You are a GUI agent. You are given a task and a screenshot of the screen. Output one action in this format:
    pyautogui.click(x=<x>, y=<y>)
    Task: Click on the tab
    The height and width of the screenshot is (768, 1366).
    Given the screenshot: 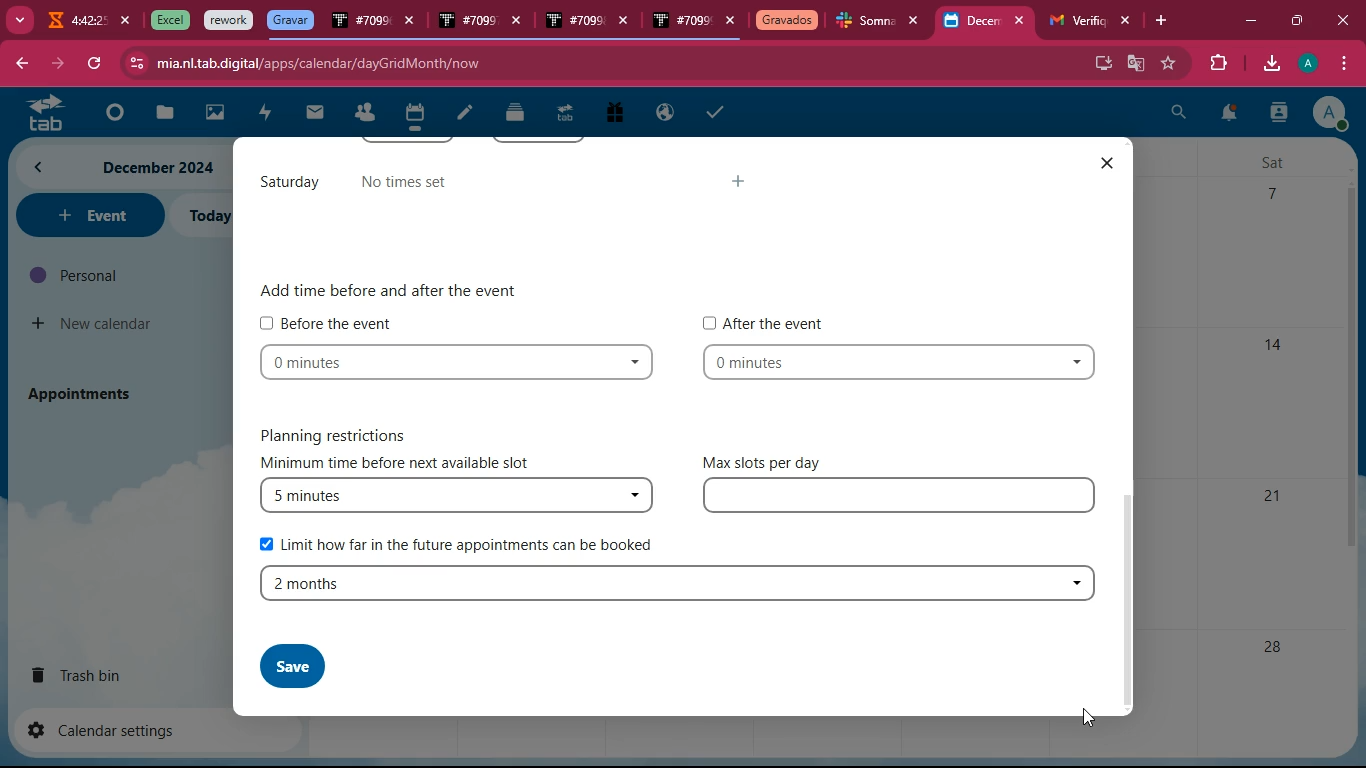 What is the action you would take?
    pyautogui.click(x=360, y=24)
    